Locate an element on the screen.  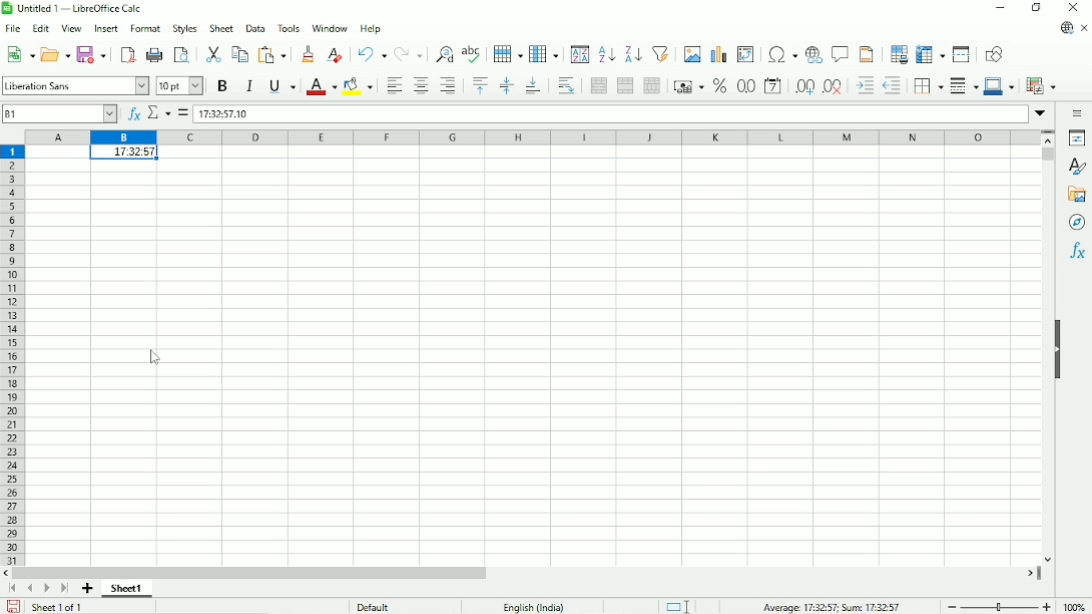
Bold is located at coordinates (224, 85).